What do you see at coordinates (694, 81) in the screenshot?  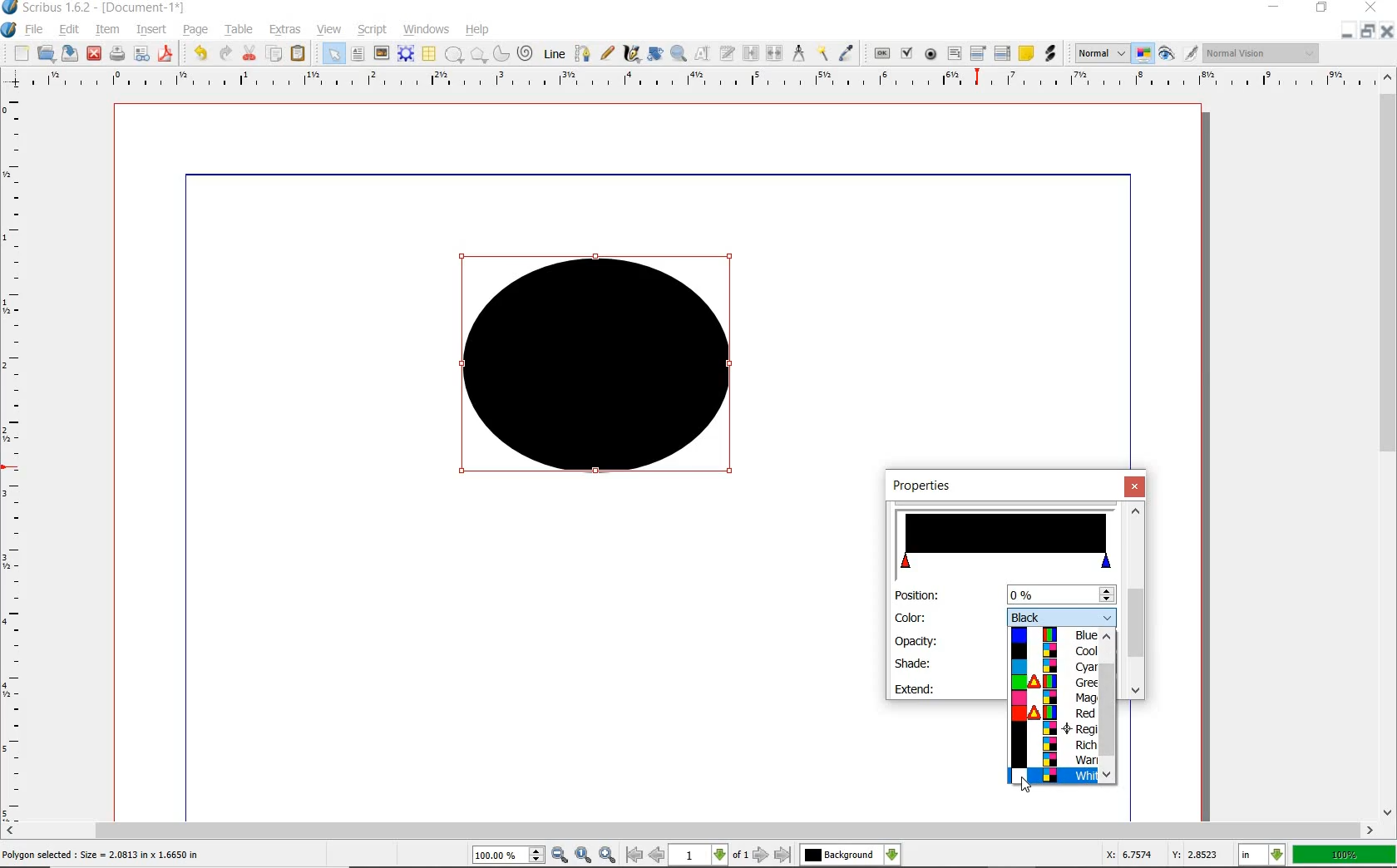 I see `RULER` at bounding box center [694, 81].